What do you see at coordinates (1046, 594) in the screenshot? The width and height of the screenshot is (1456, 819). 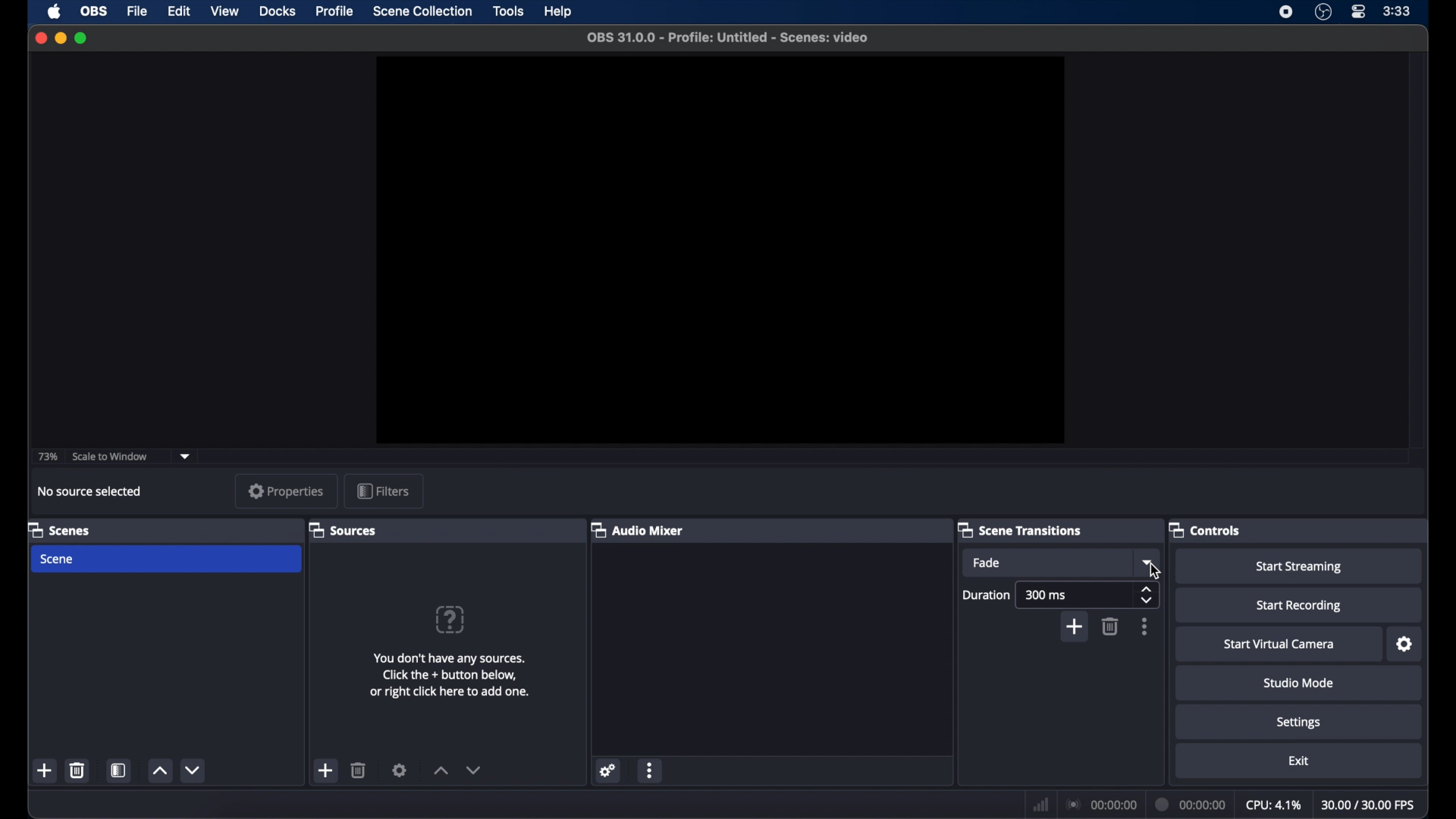 I see `300 ms` at bounding box center [1046, 594].